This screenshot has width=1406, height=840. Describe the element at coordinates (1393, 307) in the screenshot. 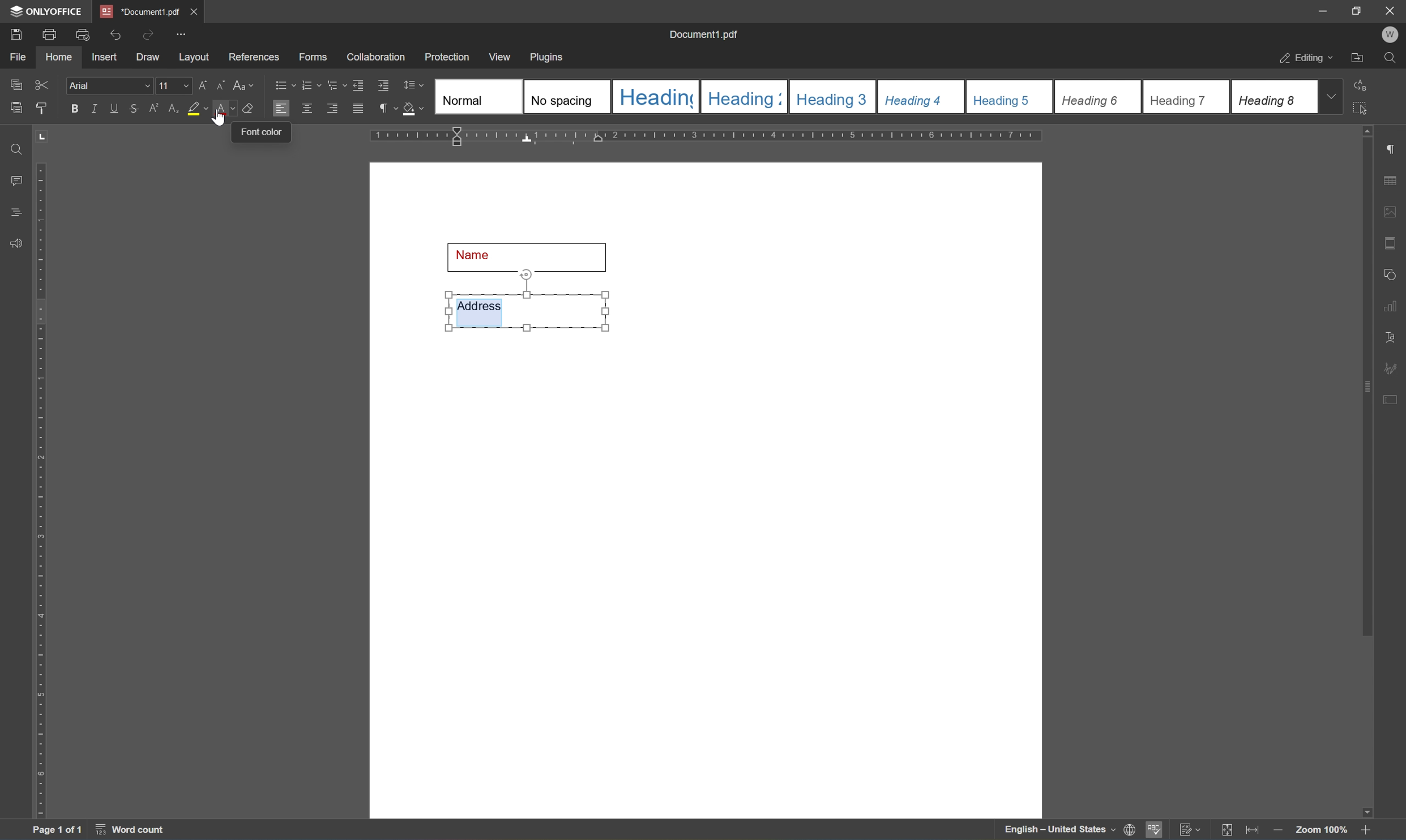

I see `chart settings` at that location.